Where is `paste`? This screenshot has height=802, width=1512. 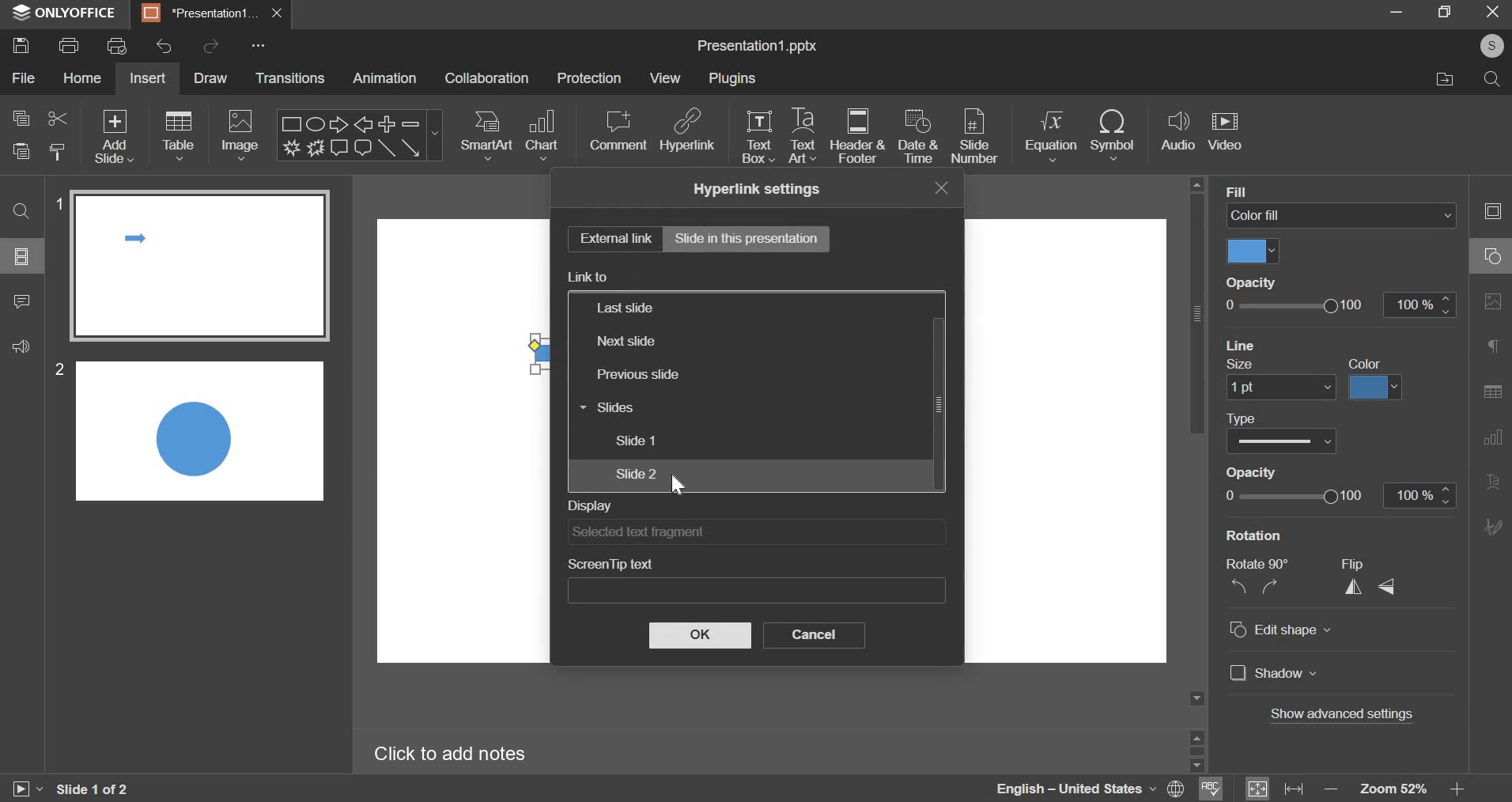 paste is located at coordinates (22, 150).